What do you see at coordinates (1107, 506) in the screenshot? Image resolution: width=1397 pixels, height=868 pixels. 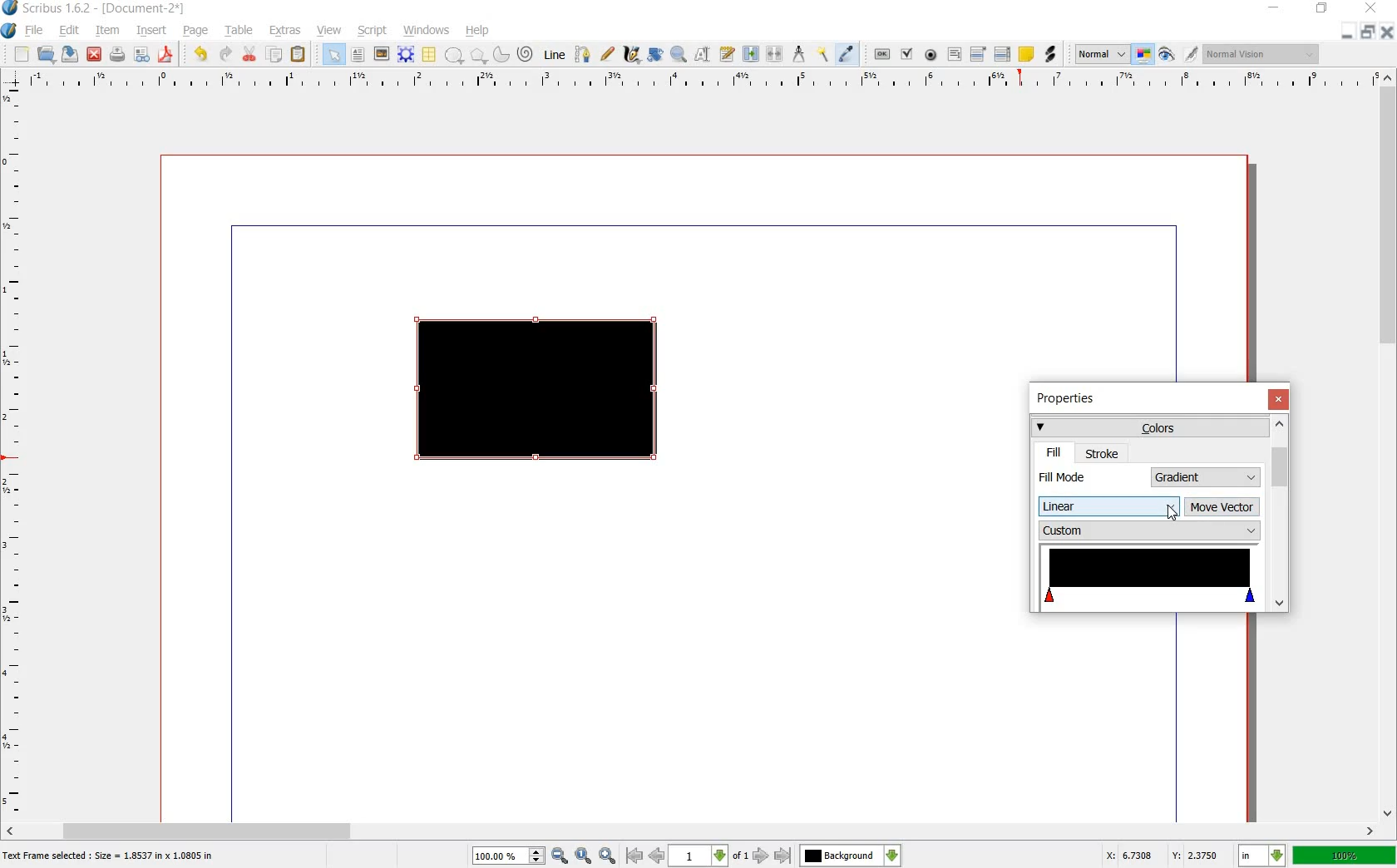 I see `linear` at bounding box center [1107, 506].